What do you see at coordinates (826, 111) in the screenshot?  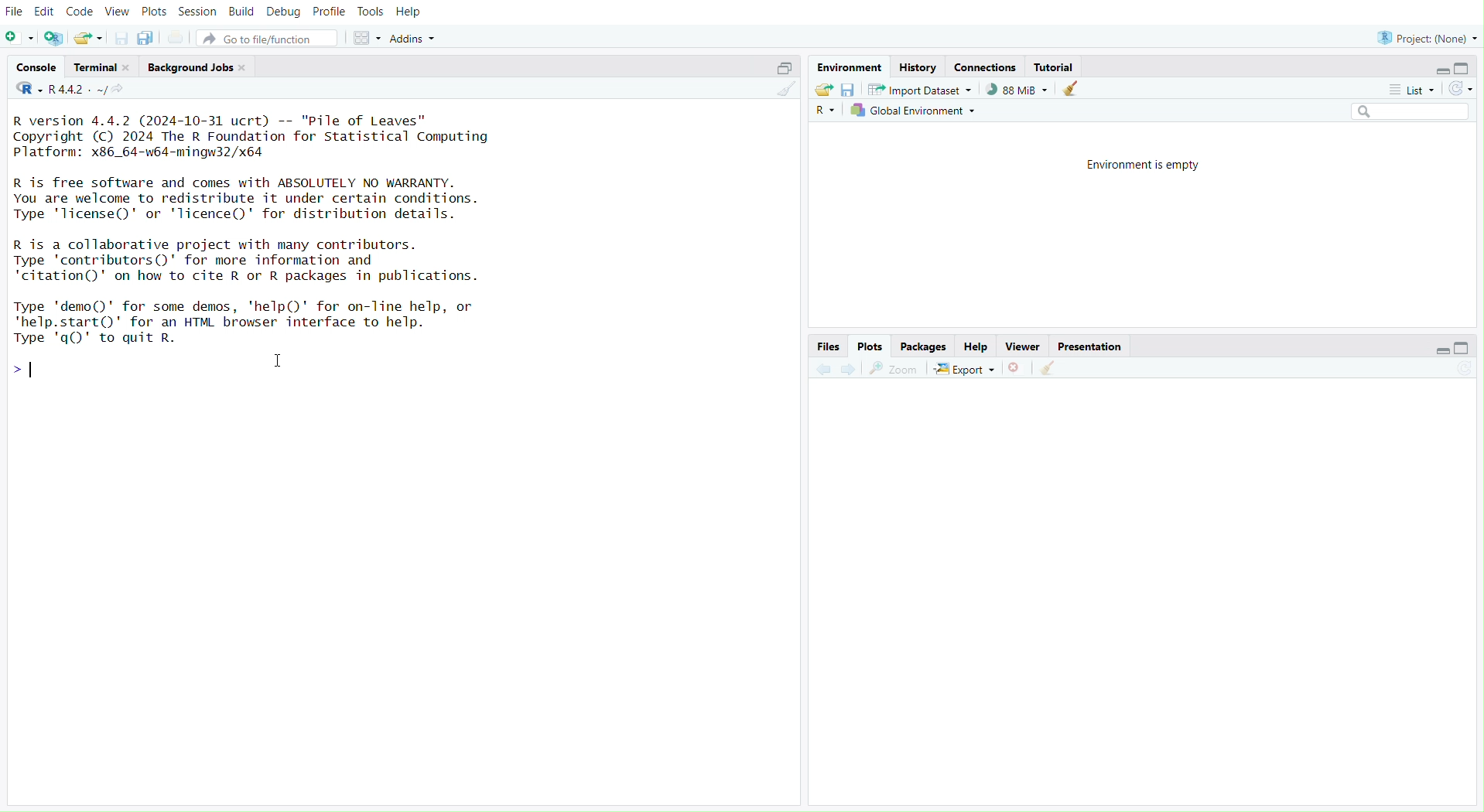 I see `R` at bounding box center [826, 111].